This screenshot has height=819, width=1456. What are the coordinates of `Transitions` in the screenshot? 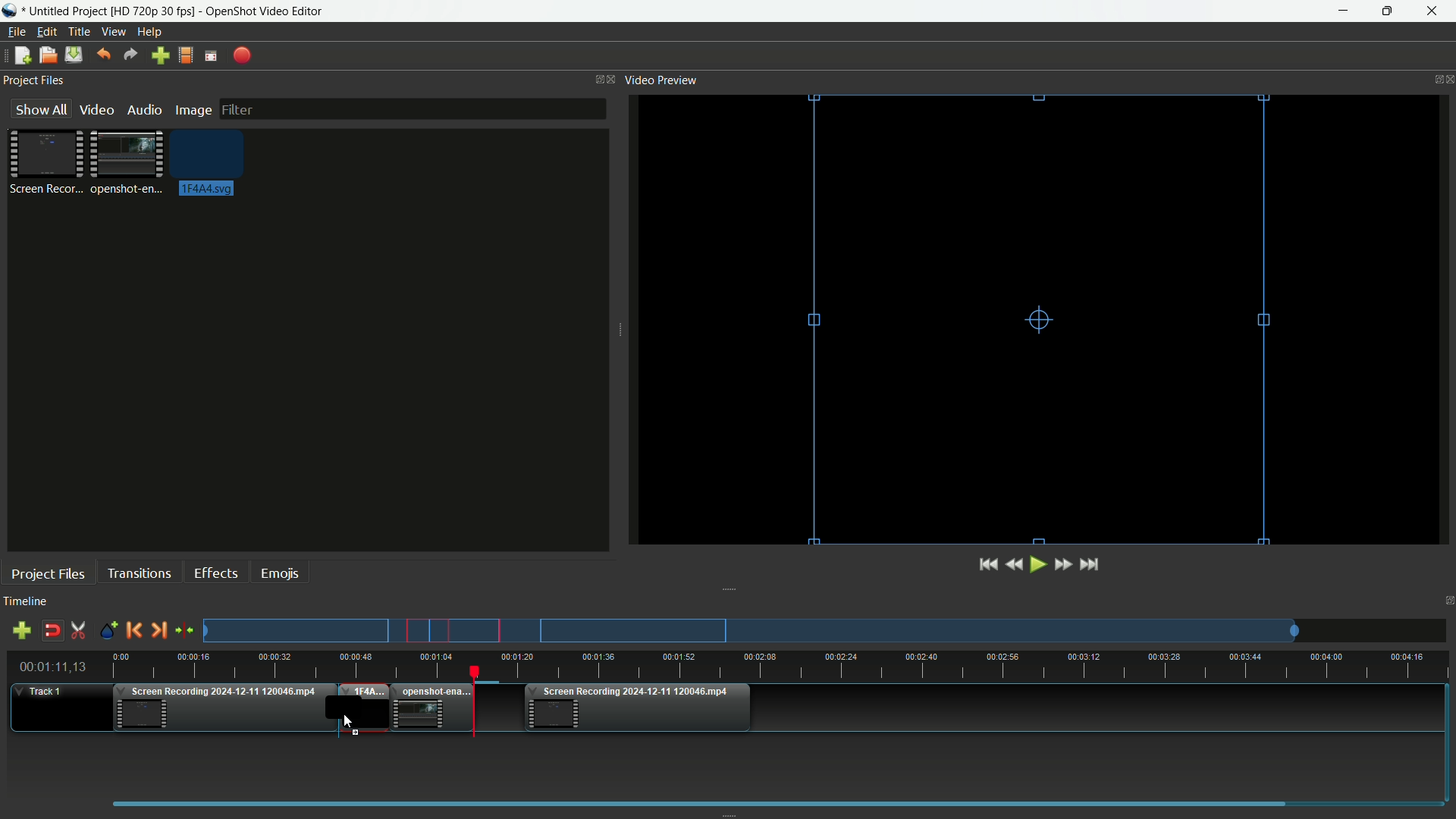 It's located at (139, 573).